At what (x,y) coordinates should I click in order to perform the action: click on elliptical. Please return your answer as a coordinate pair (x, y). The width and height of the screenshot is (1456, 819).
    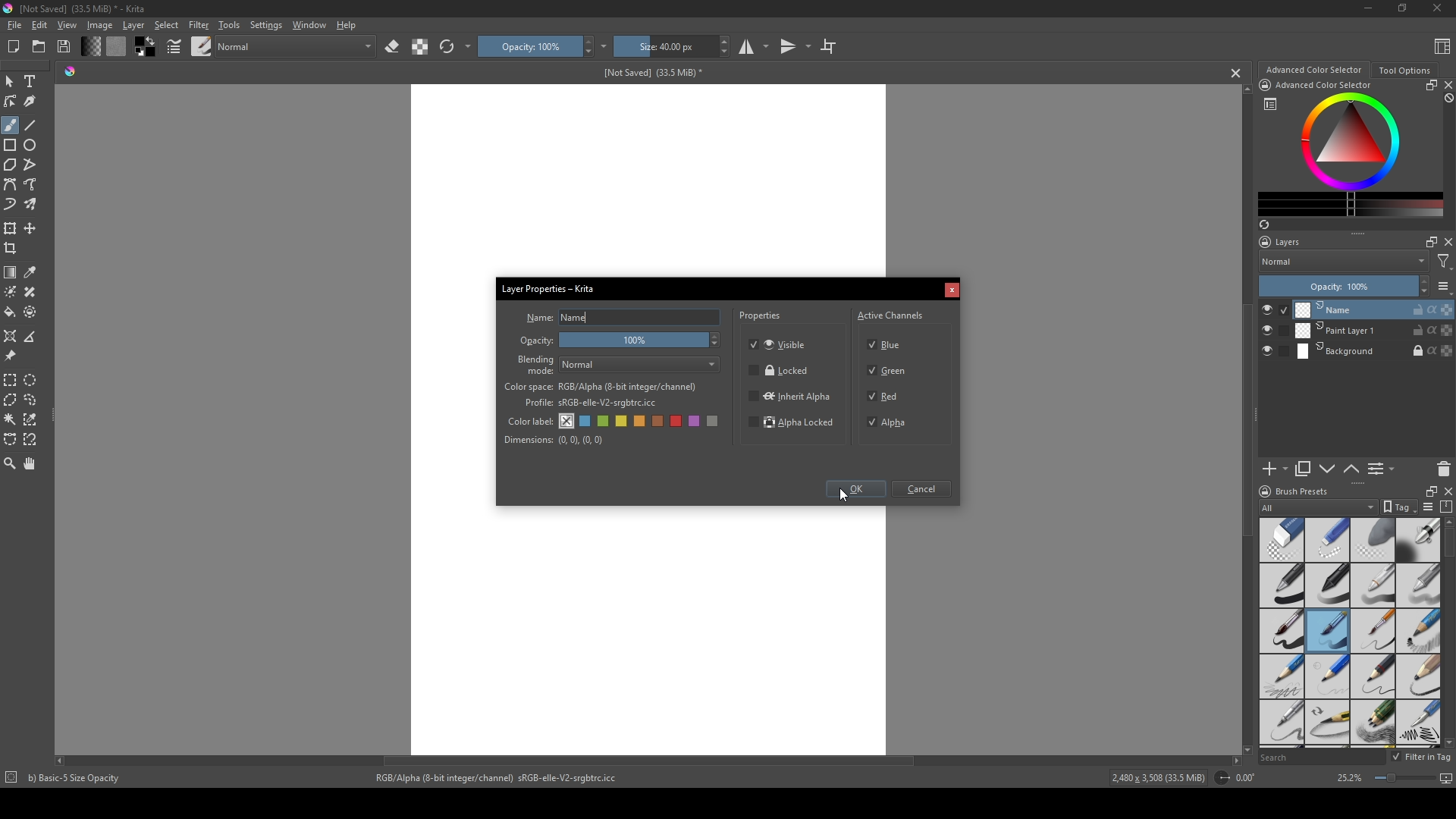
    Looking at the image, I should click on (33, 379).